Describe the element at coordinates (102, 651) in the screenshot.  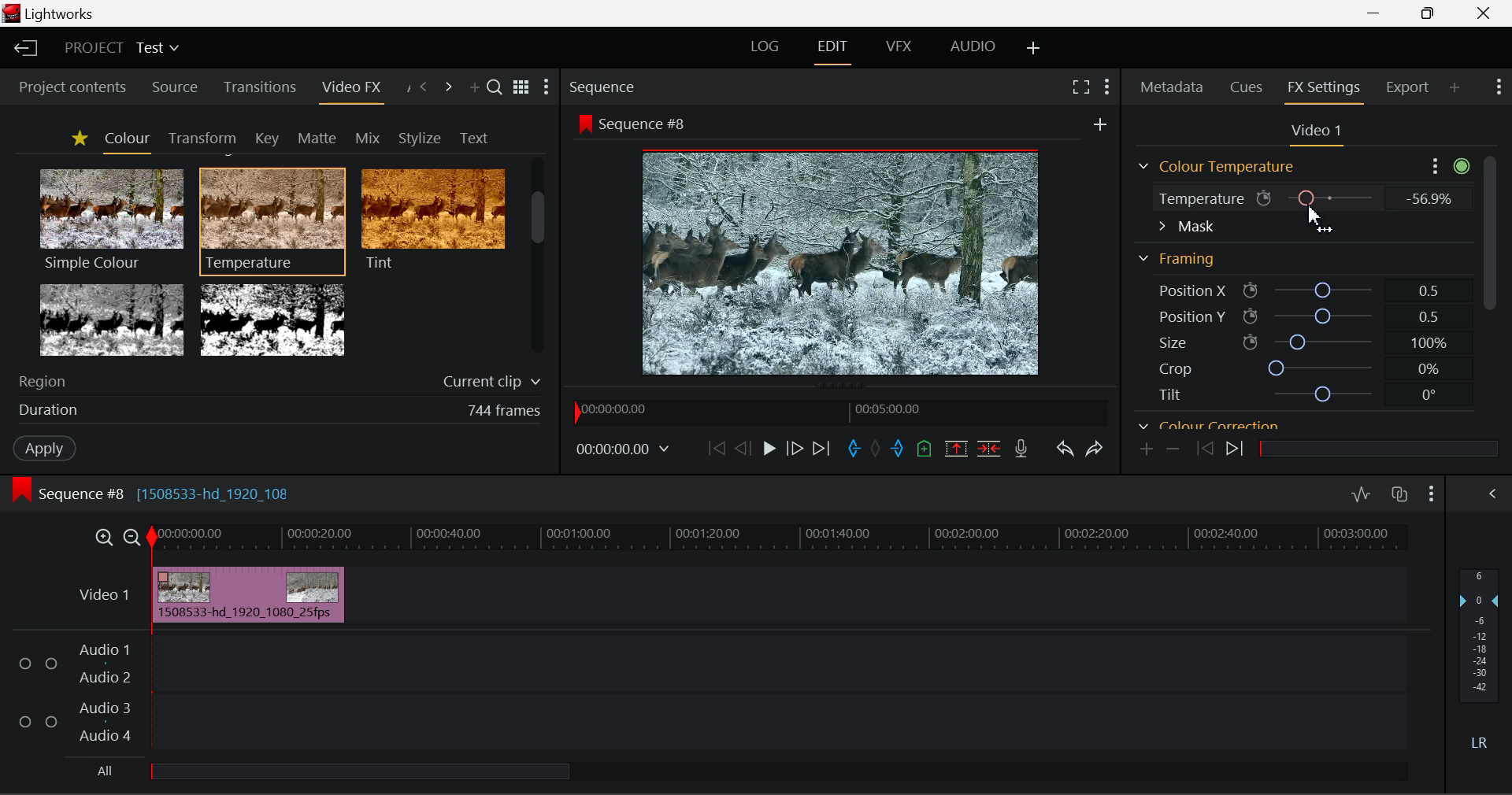
I see `Audio 1` at that location.